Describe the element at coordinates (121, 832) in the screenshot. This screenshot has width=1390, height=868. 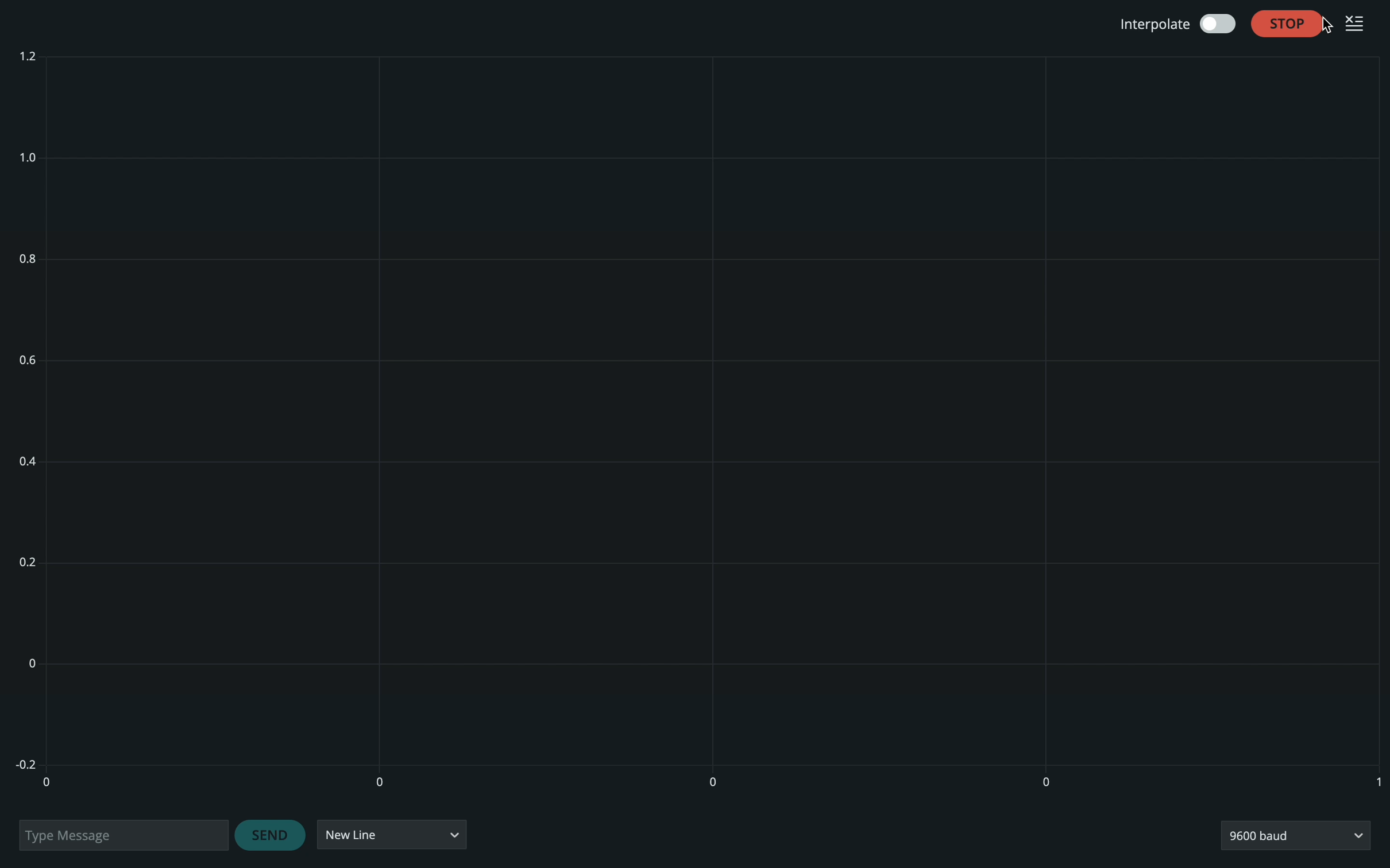
I see `message bar` at that location.